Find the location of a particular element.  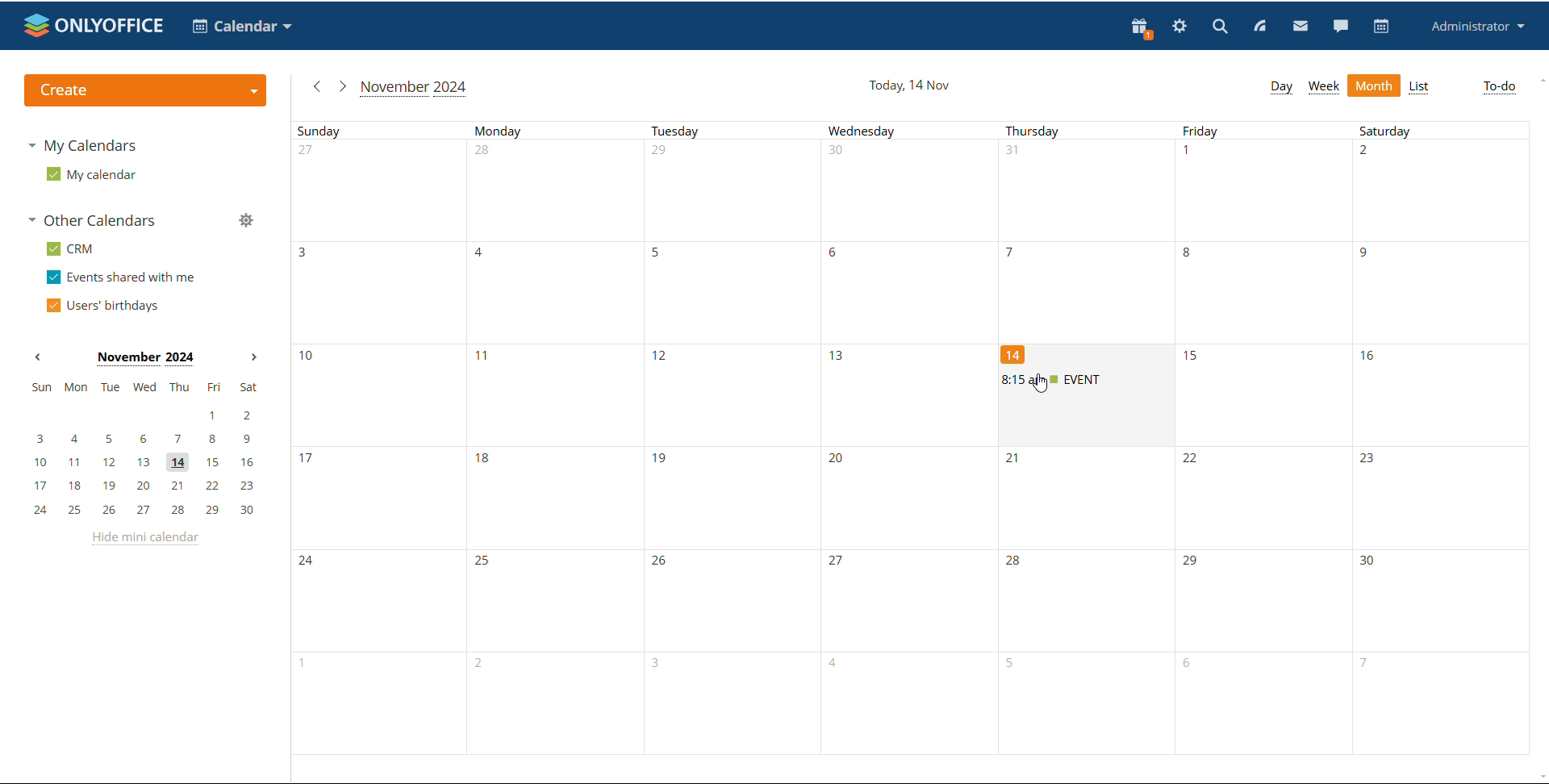

chat is located at coordinates (1340, 25).